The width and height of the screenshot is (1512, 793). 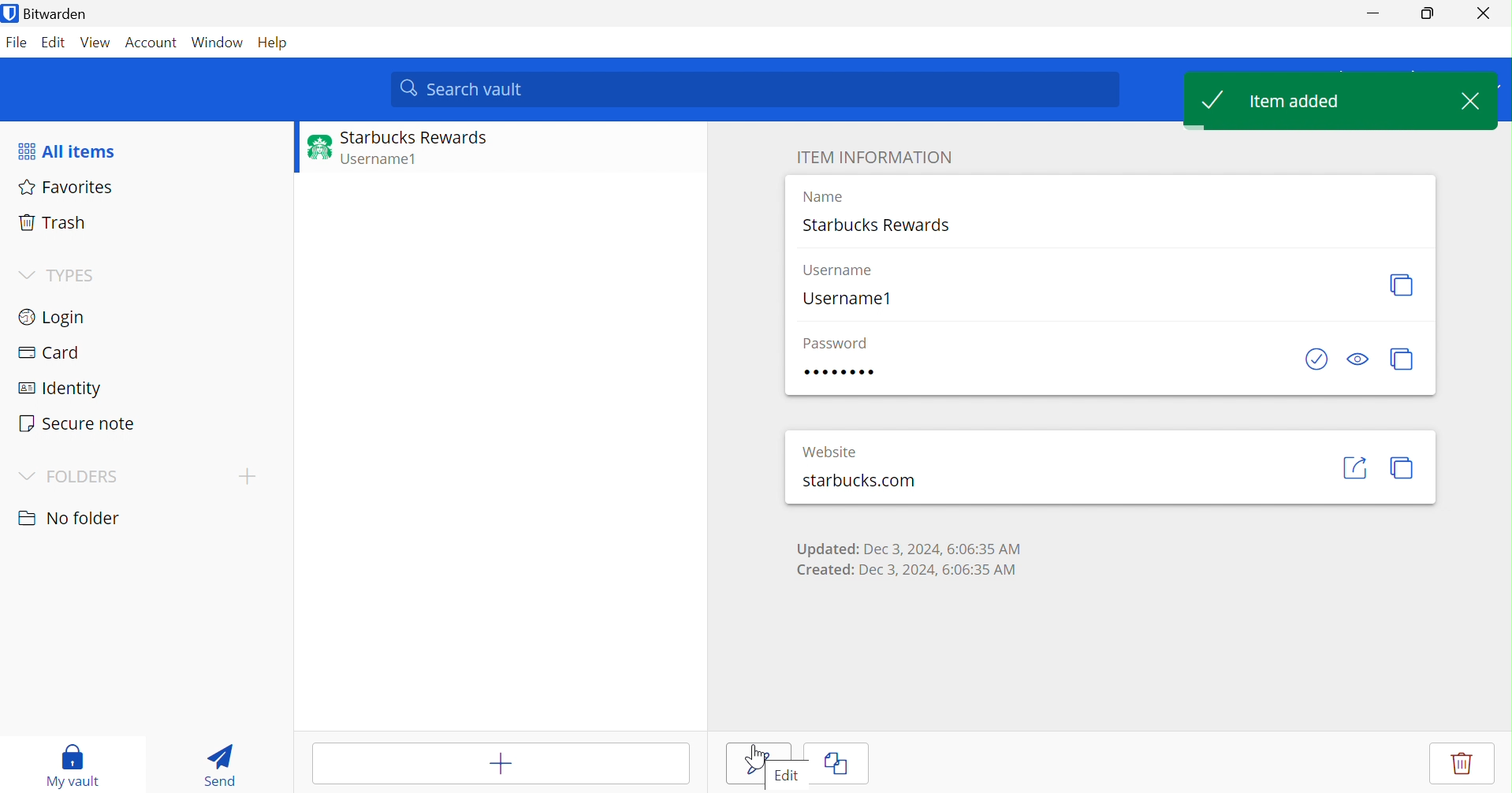 I want to click on Account, so click(x=154, y=43).